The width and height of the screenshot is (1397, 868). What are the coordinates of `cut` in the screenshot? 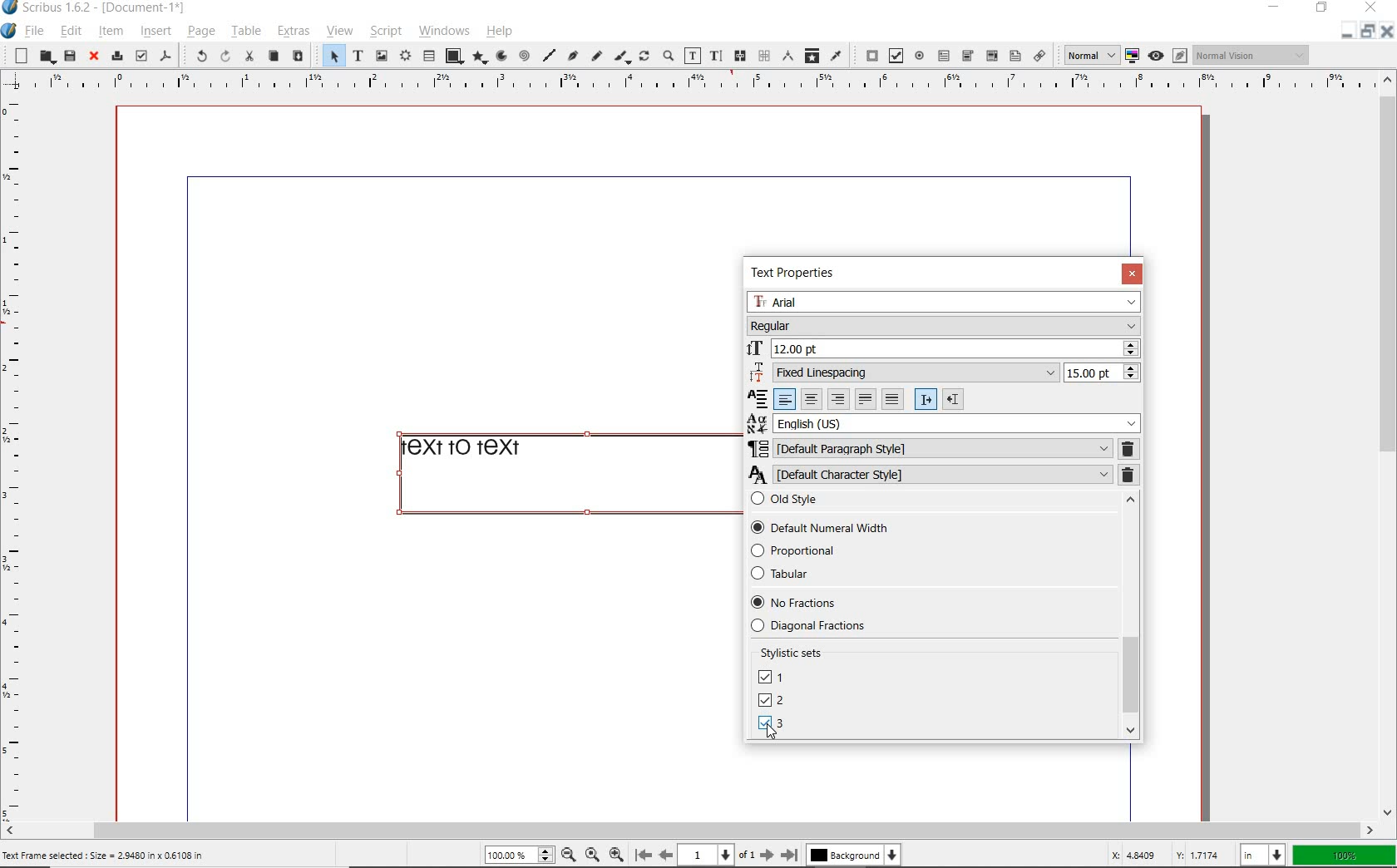 It's located at (249, 57).